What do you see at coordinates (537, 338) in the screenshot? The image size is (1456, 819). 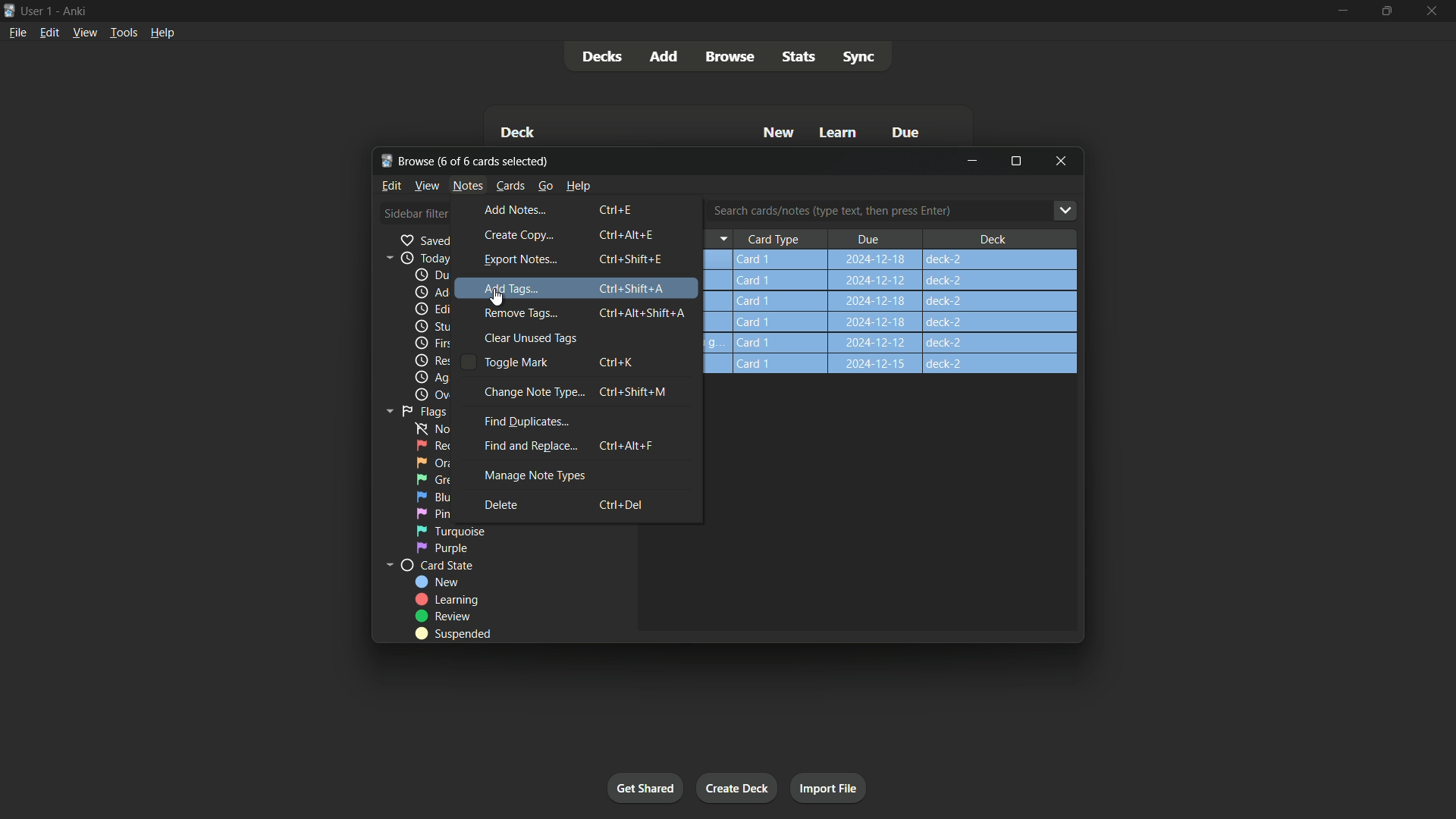 I see `clear unused tags` at bounding box center [537, 338].